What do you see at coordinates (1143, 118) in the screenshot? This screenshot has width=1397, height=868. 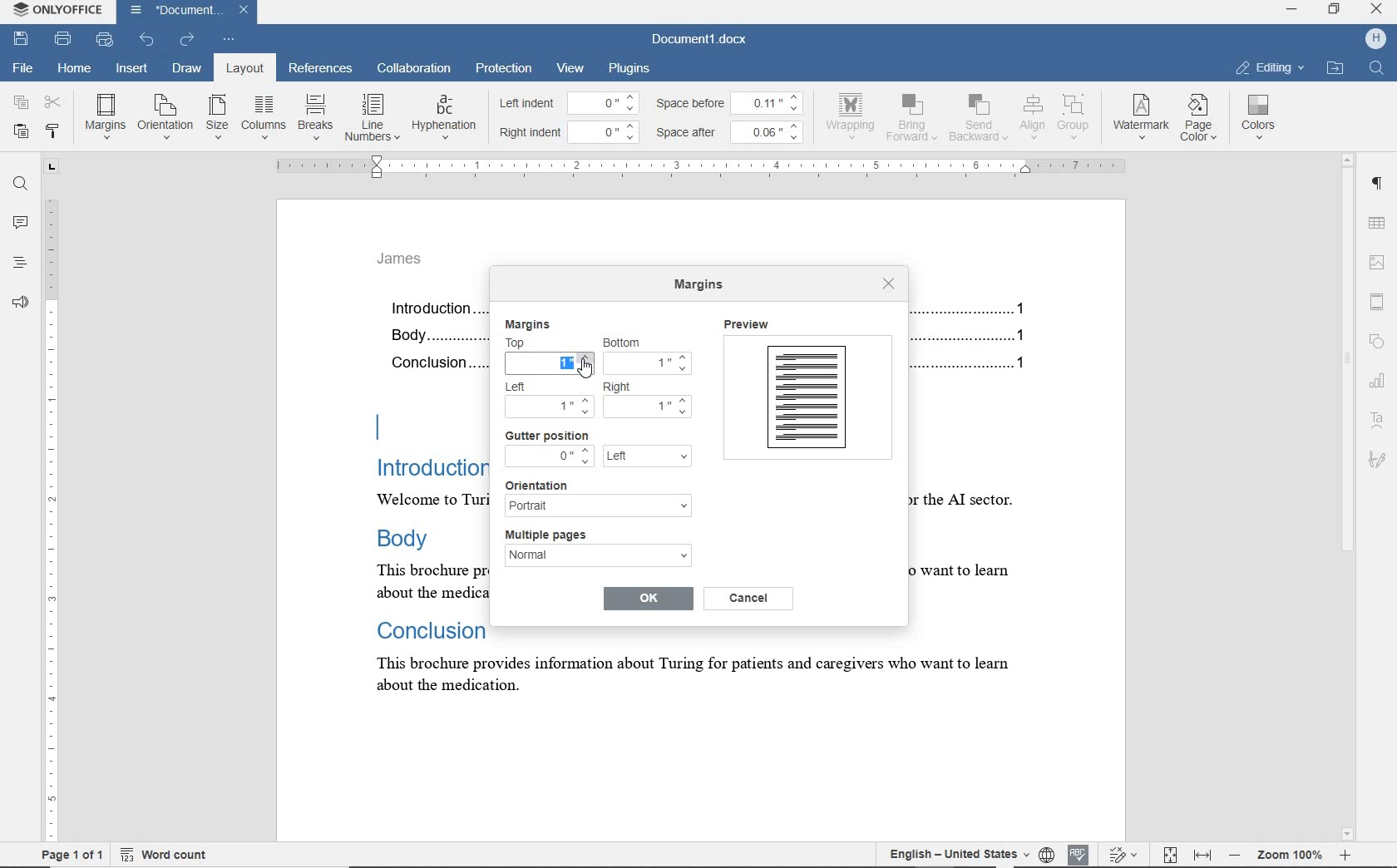 I see `watermark` at bounding box center [1143, 118].